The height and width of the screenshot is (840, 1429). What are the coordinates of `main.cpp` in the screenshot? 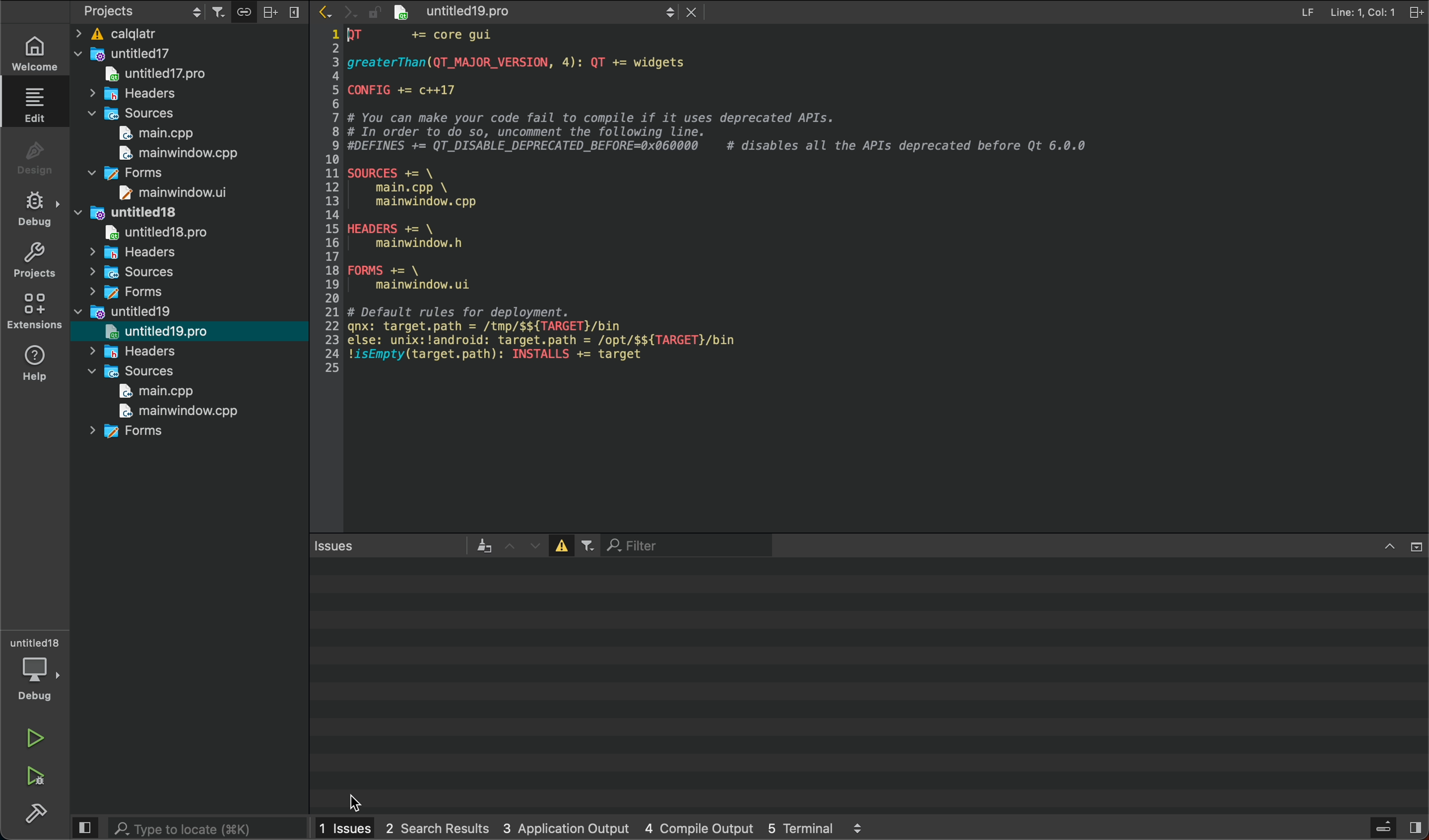 It's located at (157, 392).